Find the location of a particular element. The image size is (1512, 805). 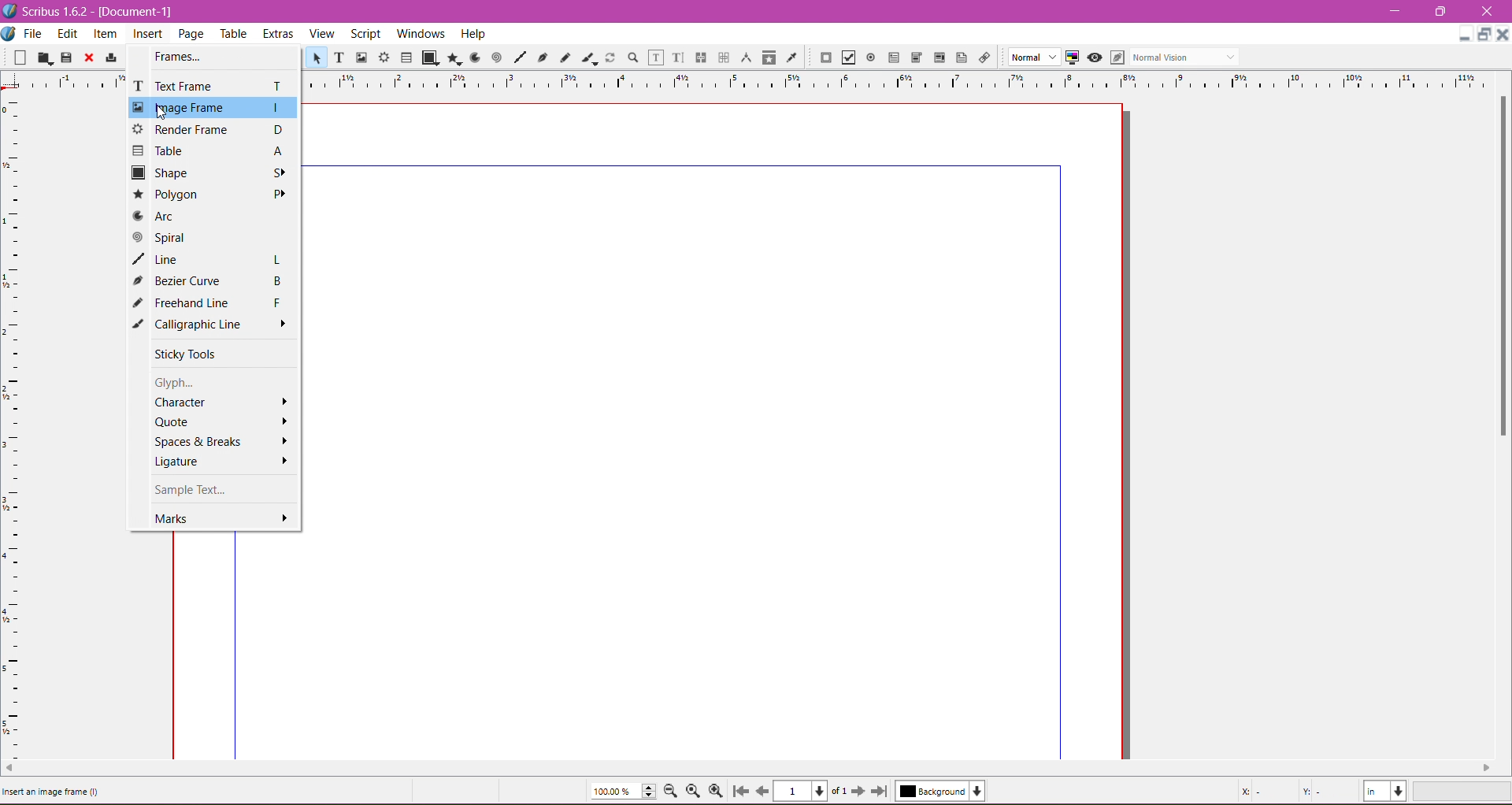

Windows is located at coordinates (419, 32).